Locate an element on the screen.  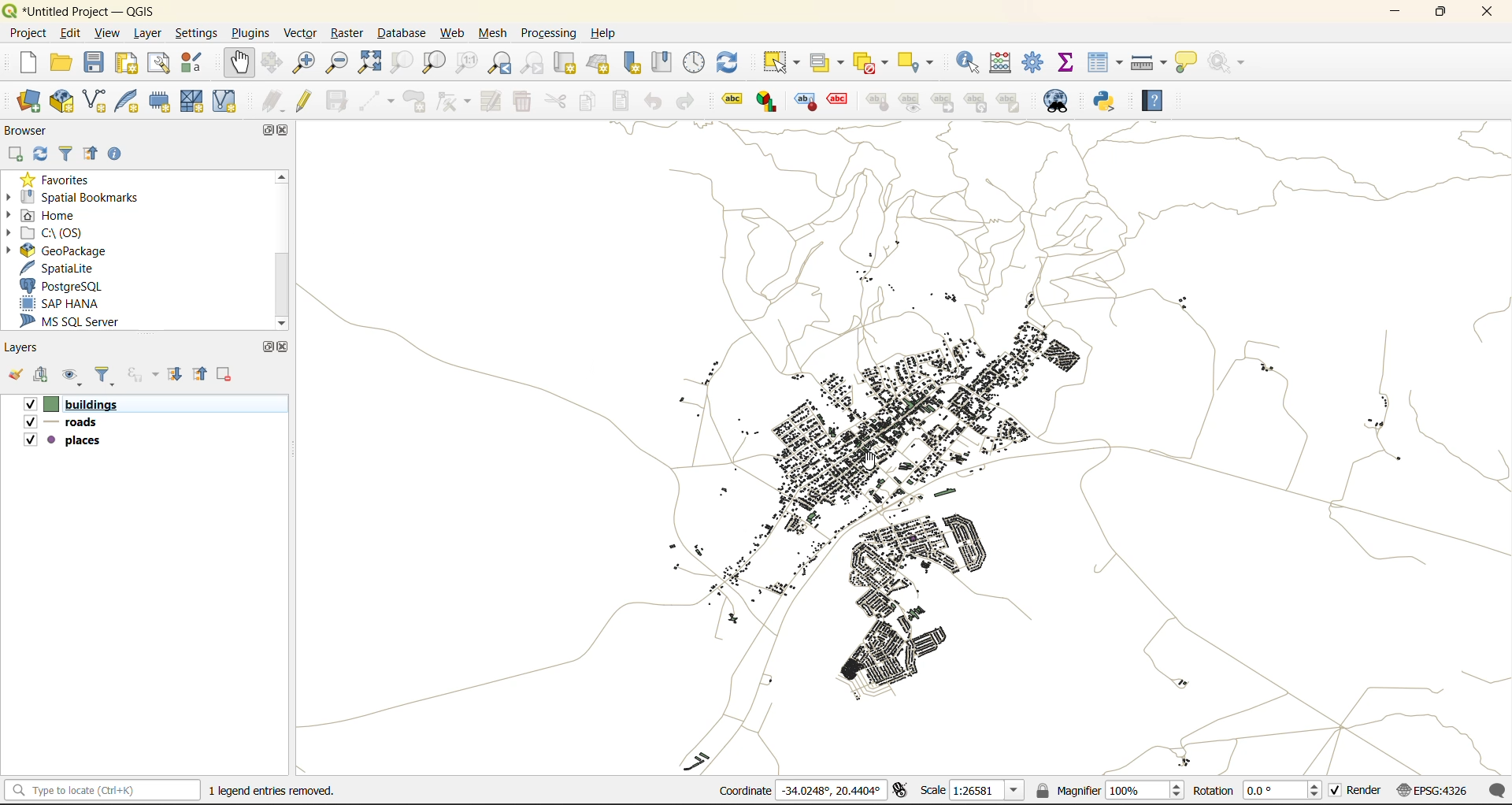
refresh is located at coordinates (728, 60).